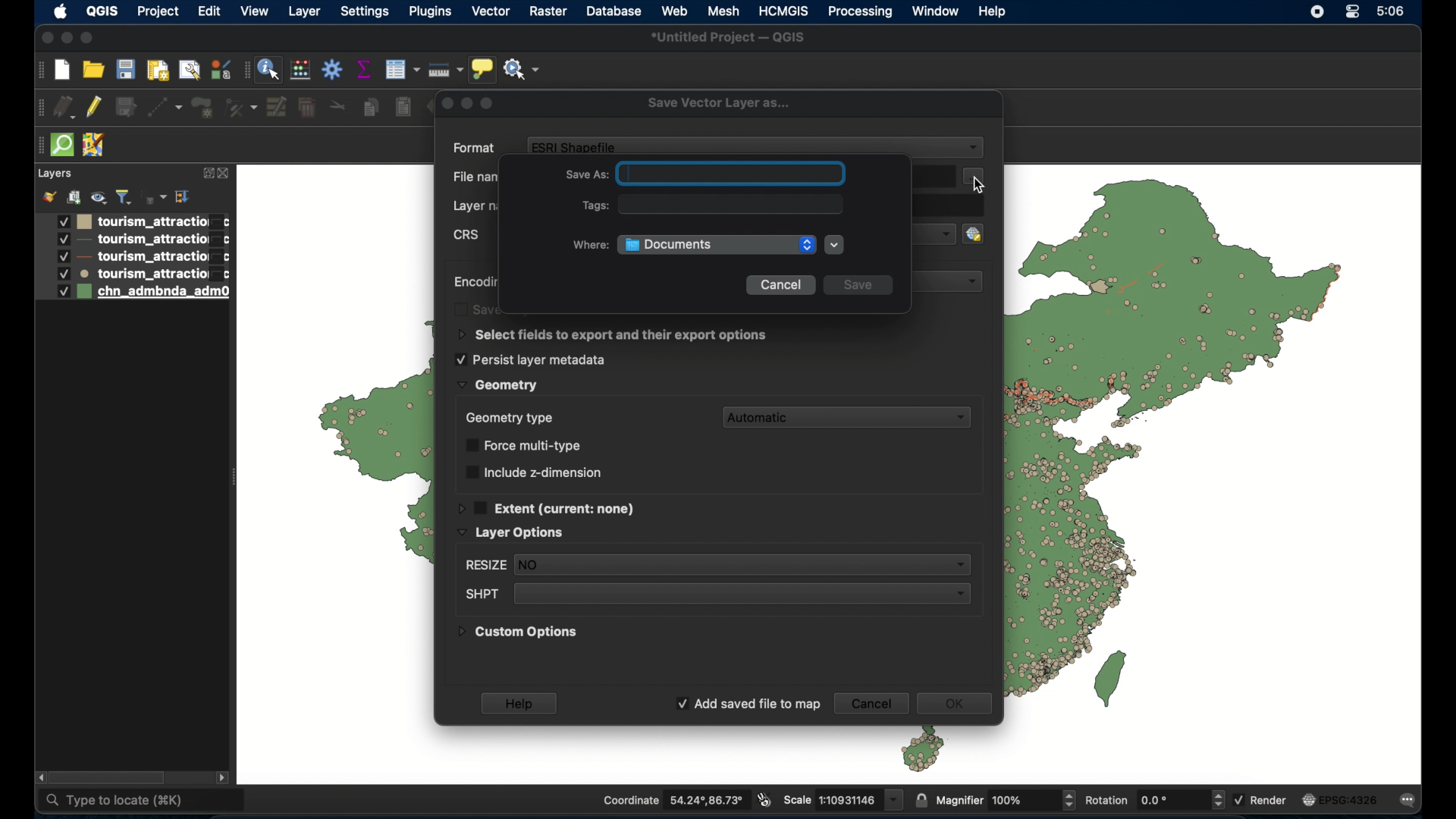 The width and height of the screenshot is (1456, 819). What do you see at coordinates (1319, 11) in the screenshot?
I see `screen recorder` at bounding box center [1319, 11].